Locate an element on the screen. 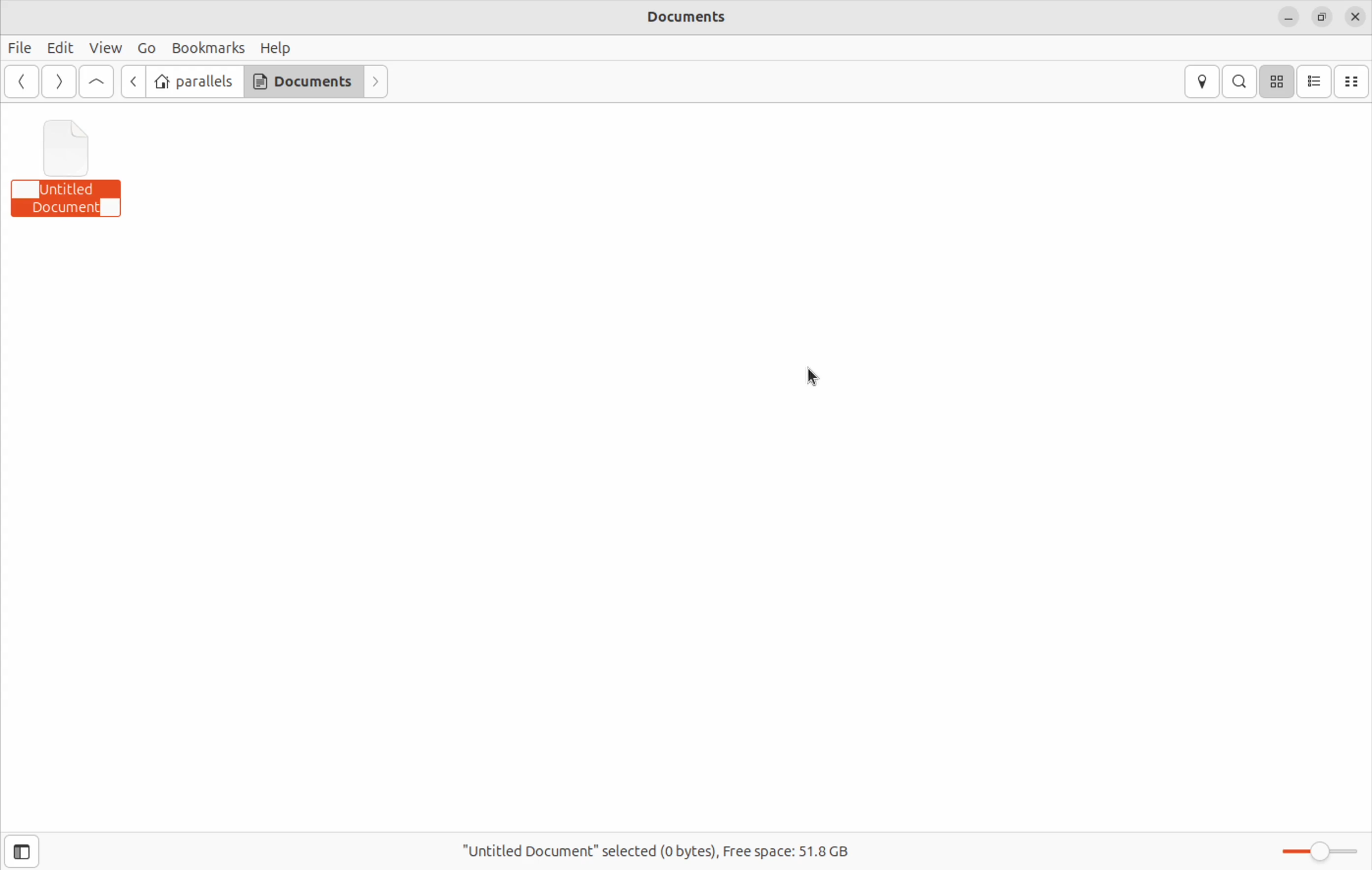  back is located at coordinates (130, 81).